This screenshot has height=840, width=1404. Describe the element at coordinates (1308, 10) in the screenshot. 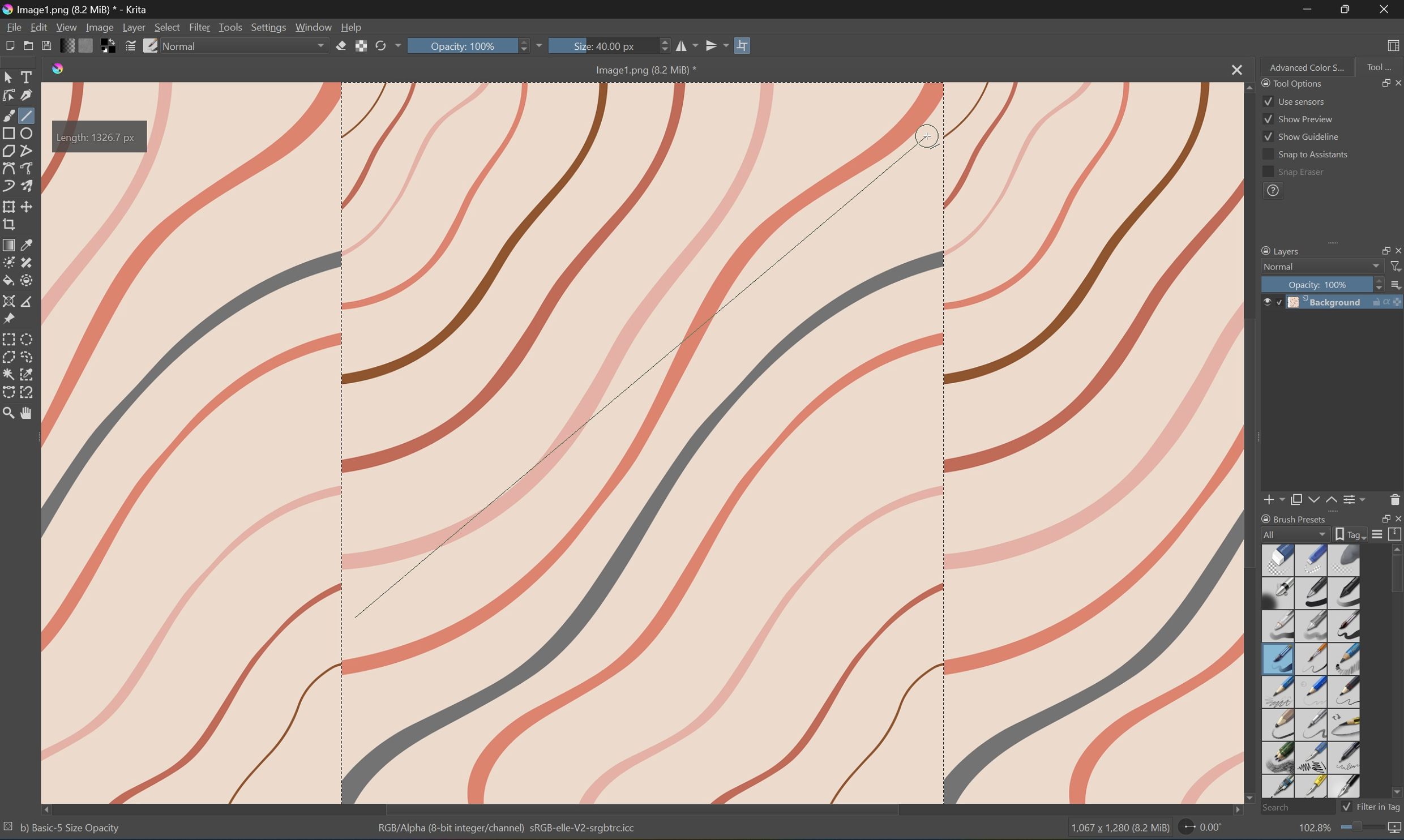

I see `Minimize` at that location.